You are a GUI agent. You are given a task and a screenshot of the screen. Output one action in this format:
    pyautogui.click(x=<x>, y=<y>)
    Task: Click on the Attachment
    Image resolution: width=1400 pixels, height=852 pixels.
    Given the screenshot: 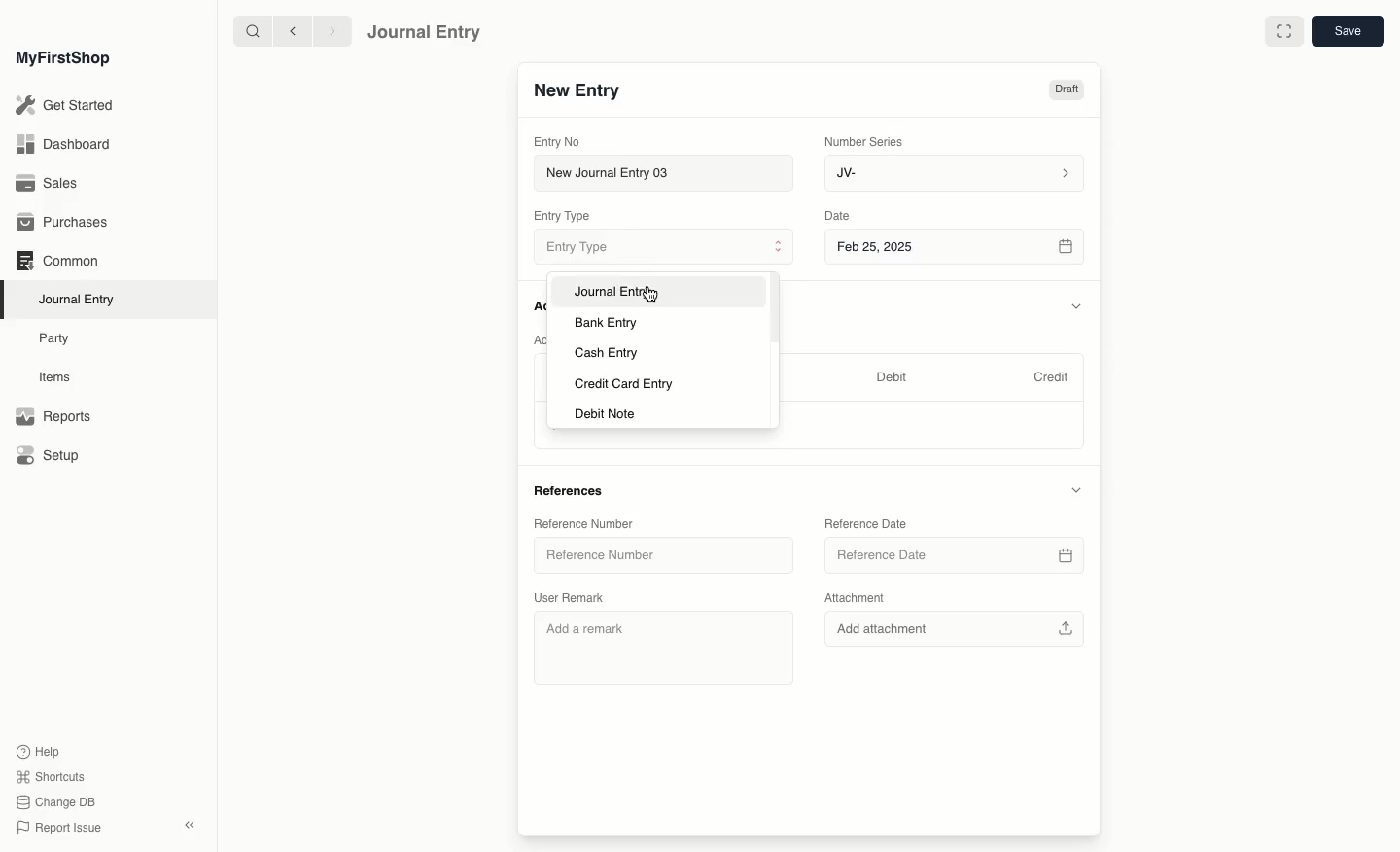 What is the action you would take?
    pyautogui.click(x=855, y=598)
    